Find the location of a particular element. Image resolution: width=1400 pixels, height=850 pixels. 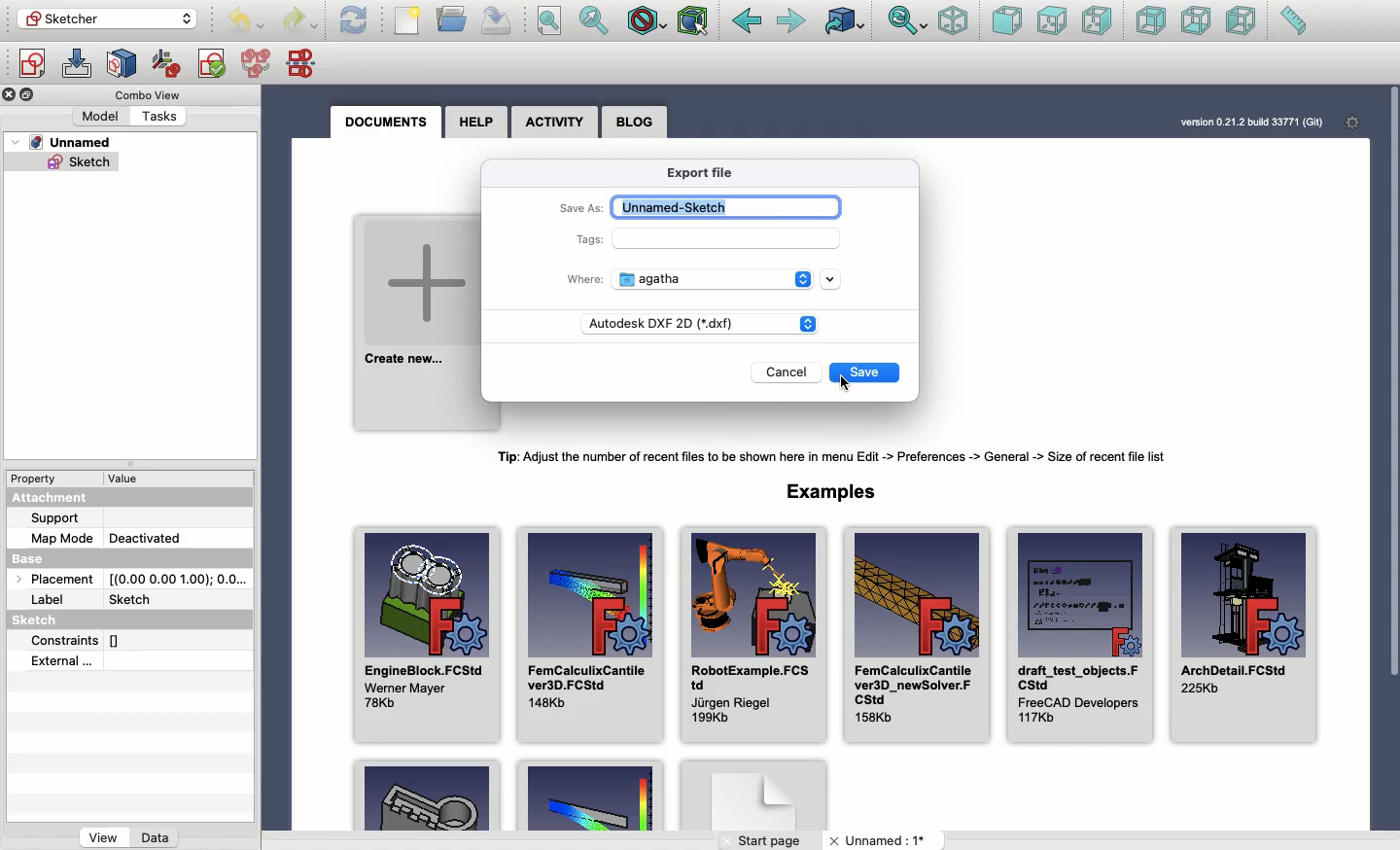

FemCalculixCantile ver3D_newSolver.FCStd 158Kb is located at coordinates (916, 633).